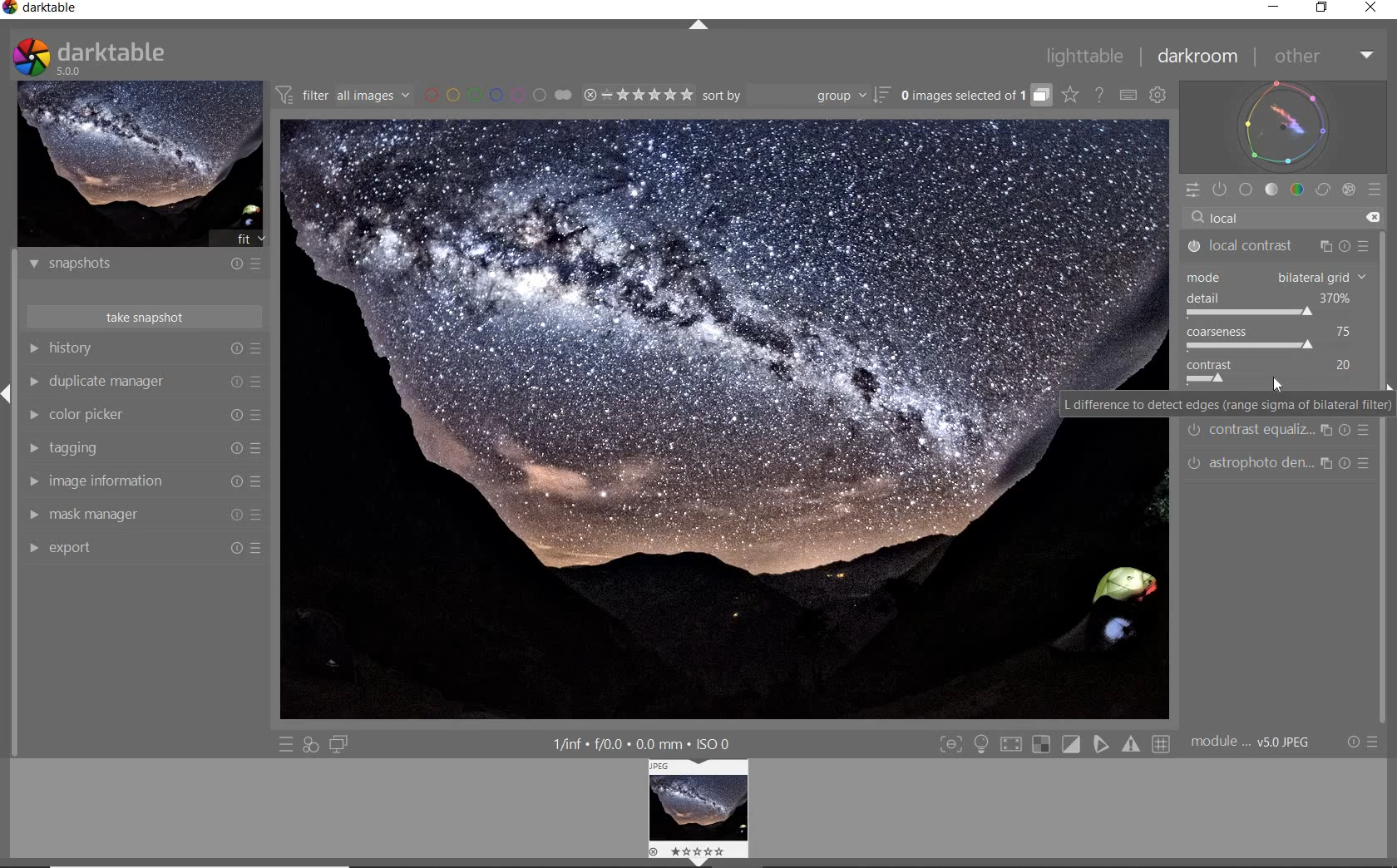  What do you see at coordinates (259, 417) in the screenshot?
I see `Presets and preferences` at bounding box center [259, 417].